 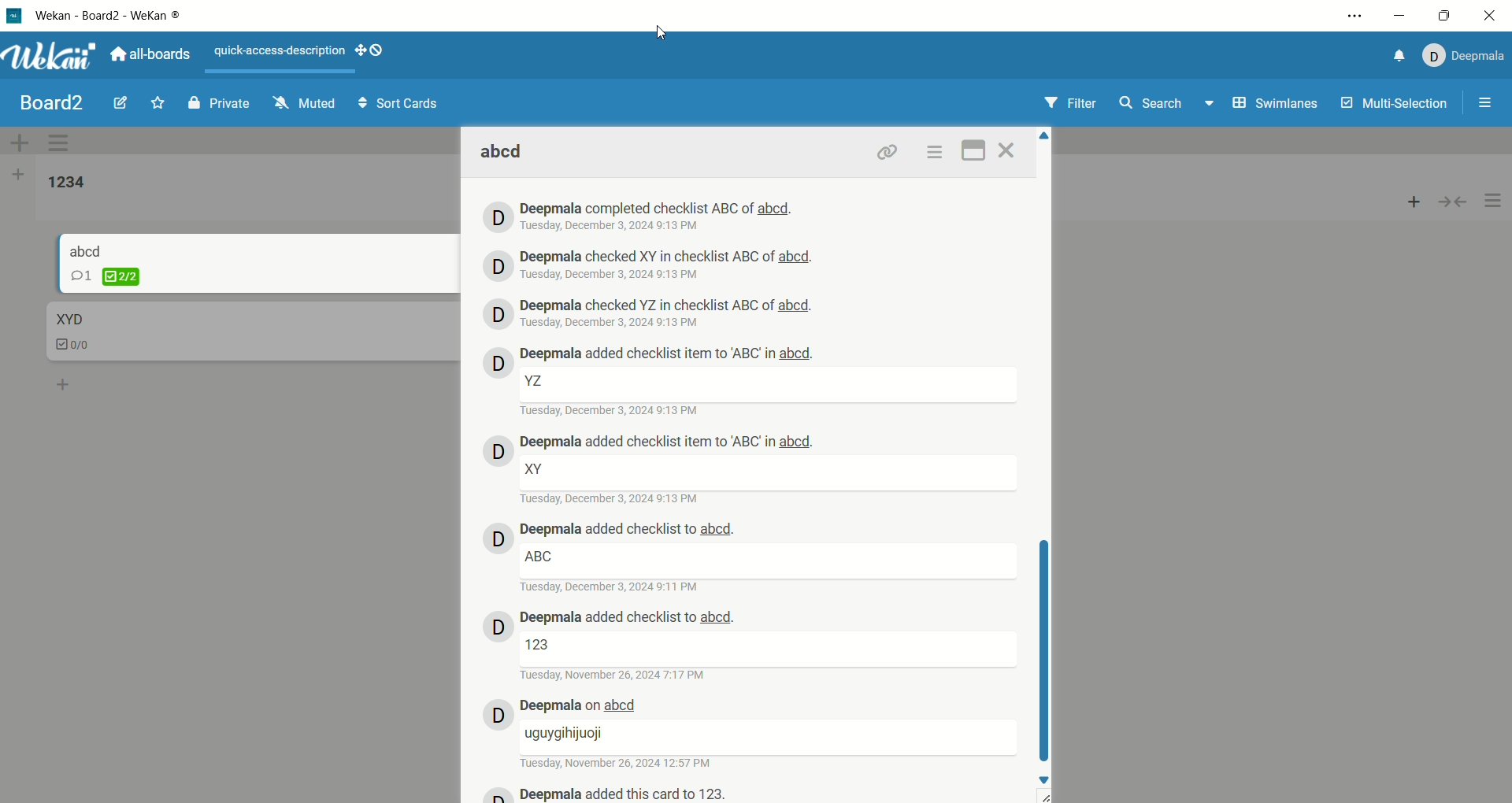 I want to click on text, so click(x=281, y=52).